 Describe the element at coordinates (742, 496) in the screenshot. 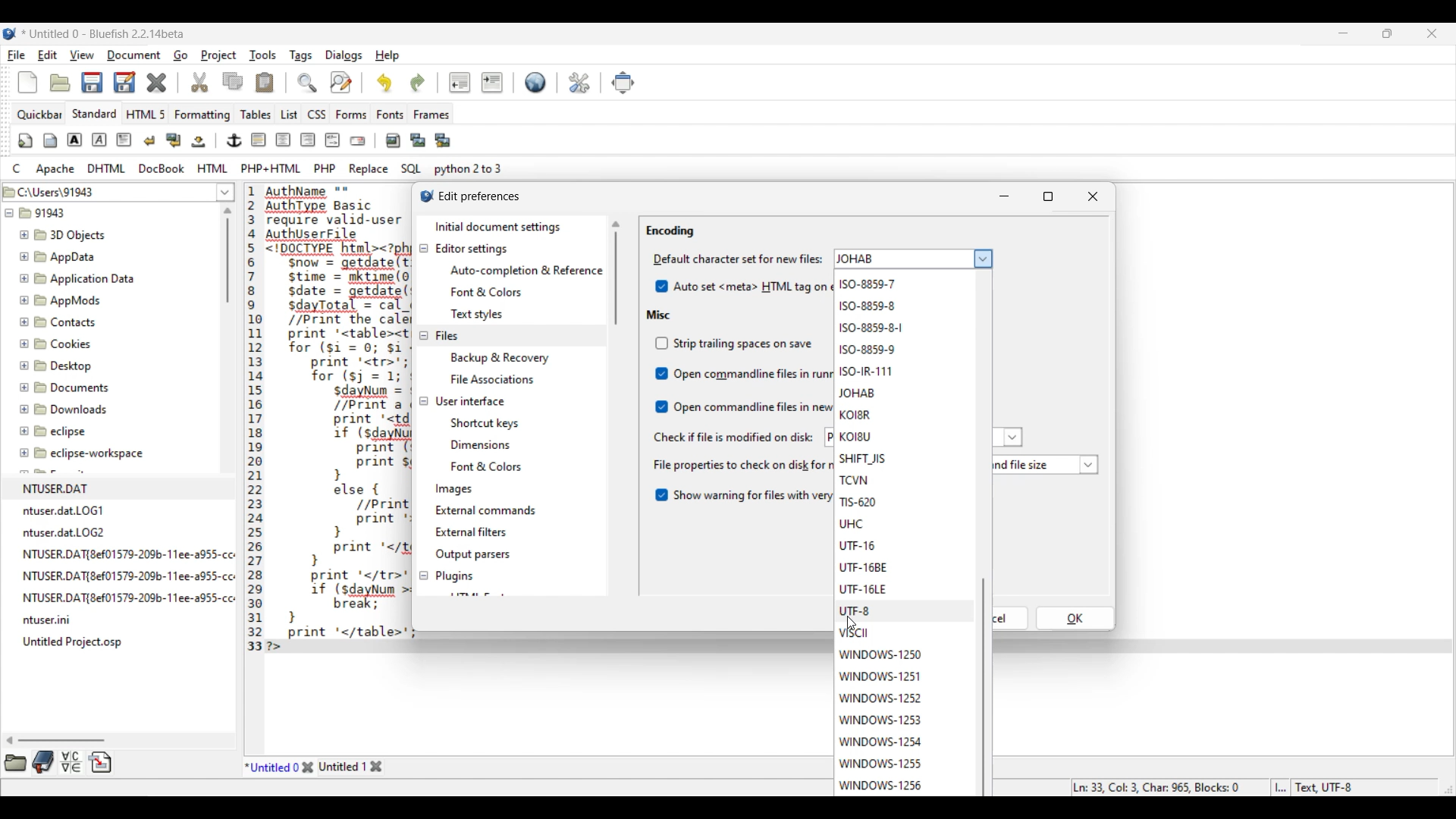

I see `Toggle for warning about long files` at that location.